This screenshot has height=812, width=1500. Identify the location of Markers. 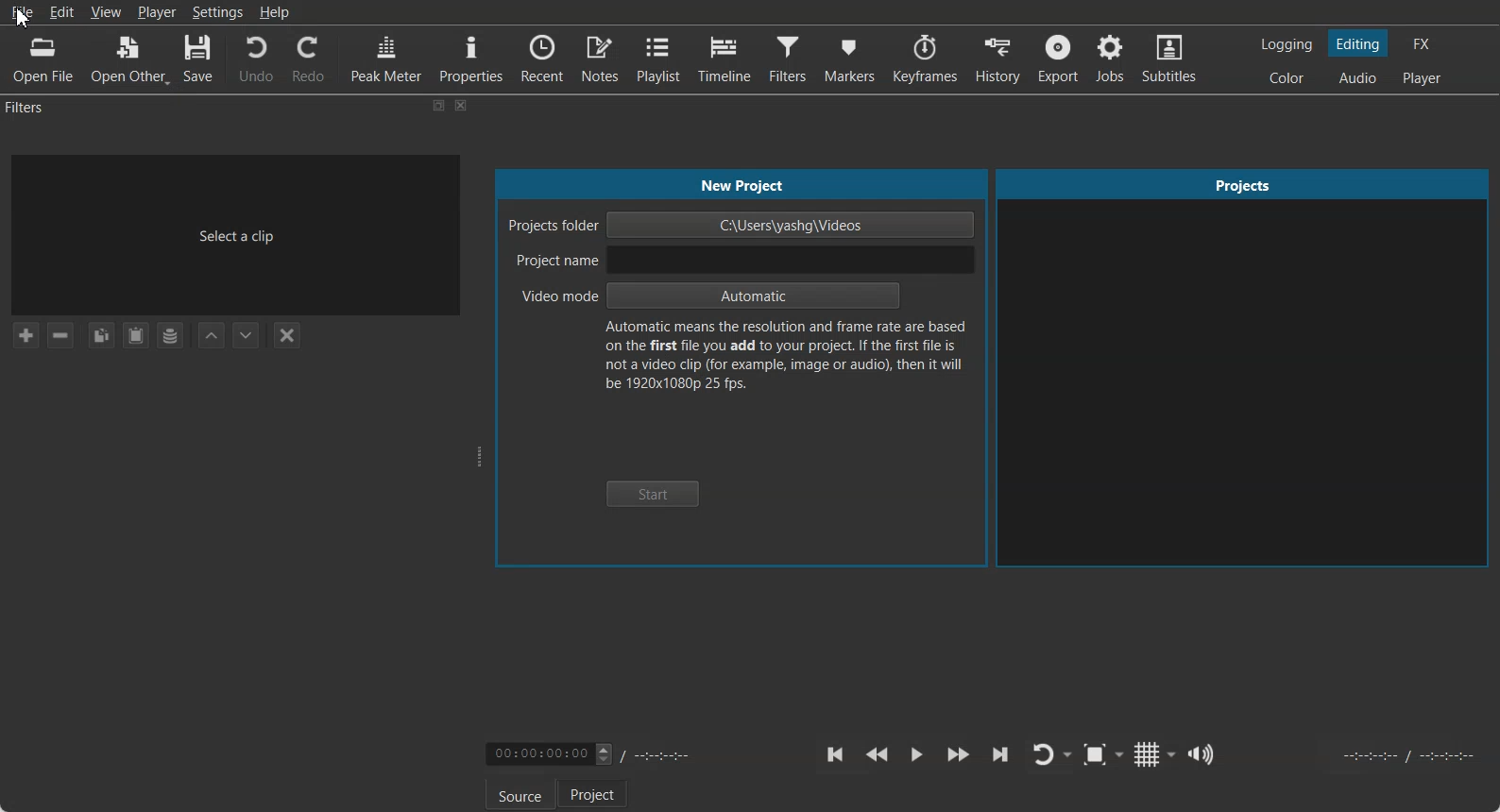
(851, 58).